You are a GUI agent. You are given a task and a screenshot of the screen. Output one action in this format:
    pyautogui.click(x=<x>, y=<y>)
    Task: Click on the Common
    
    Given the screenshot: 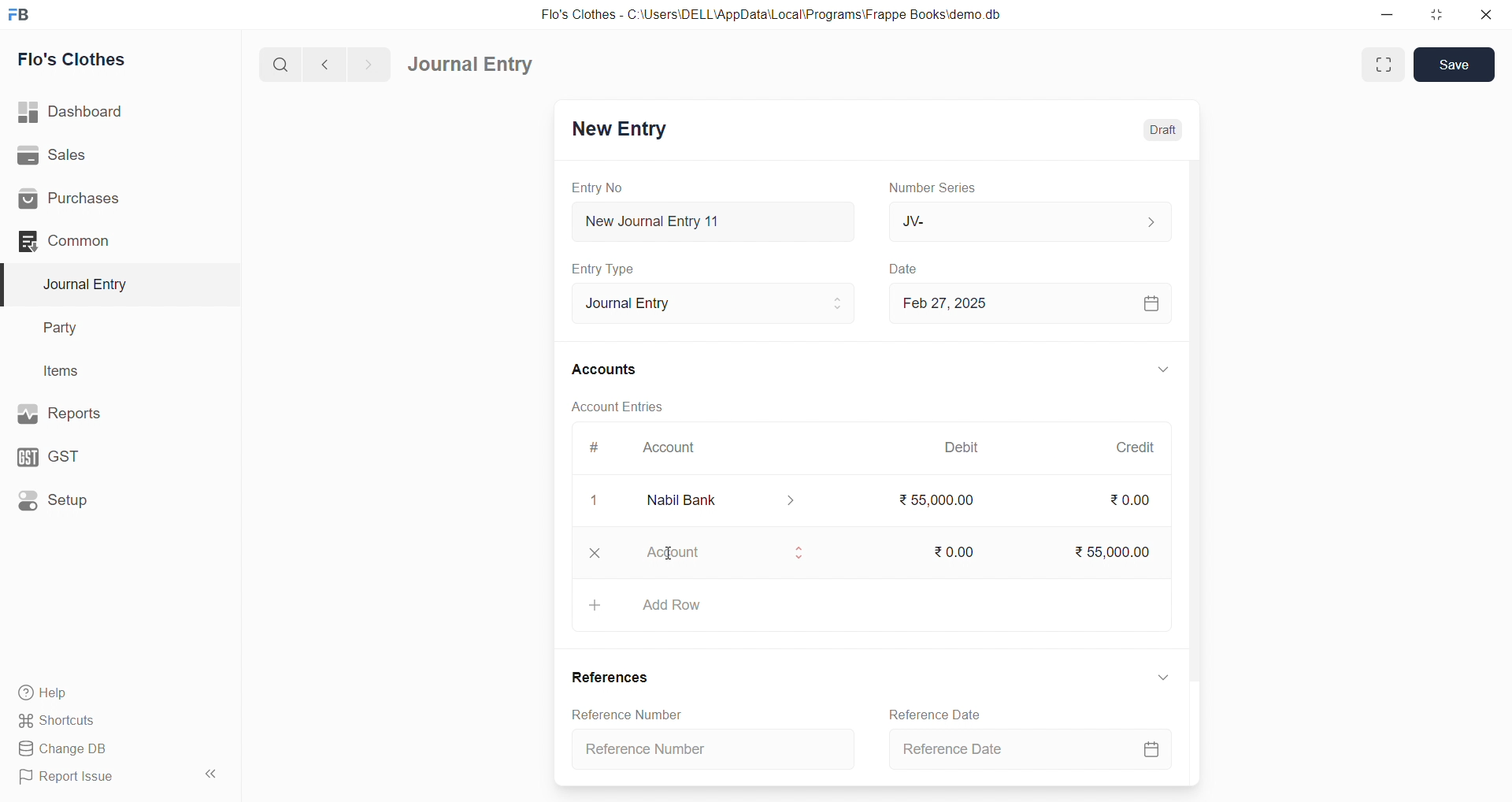 What is the action you would take?
    pyautogui.click(x=94, y=242)
    